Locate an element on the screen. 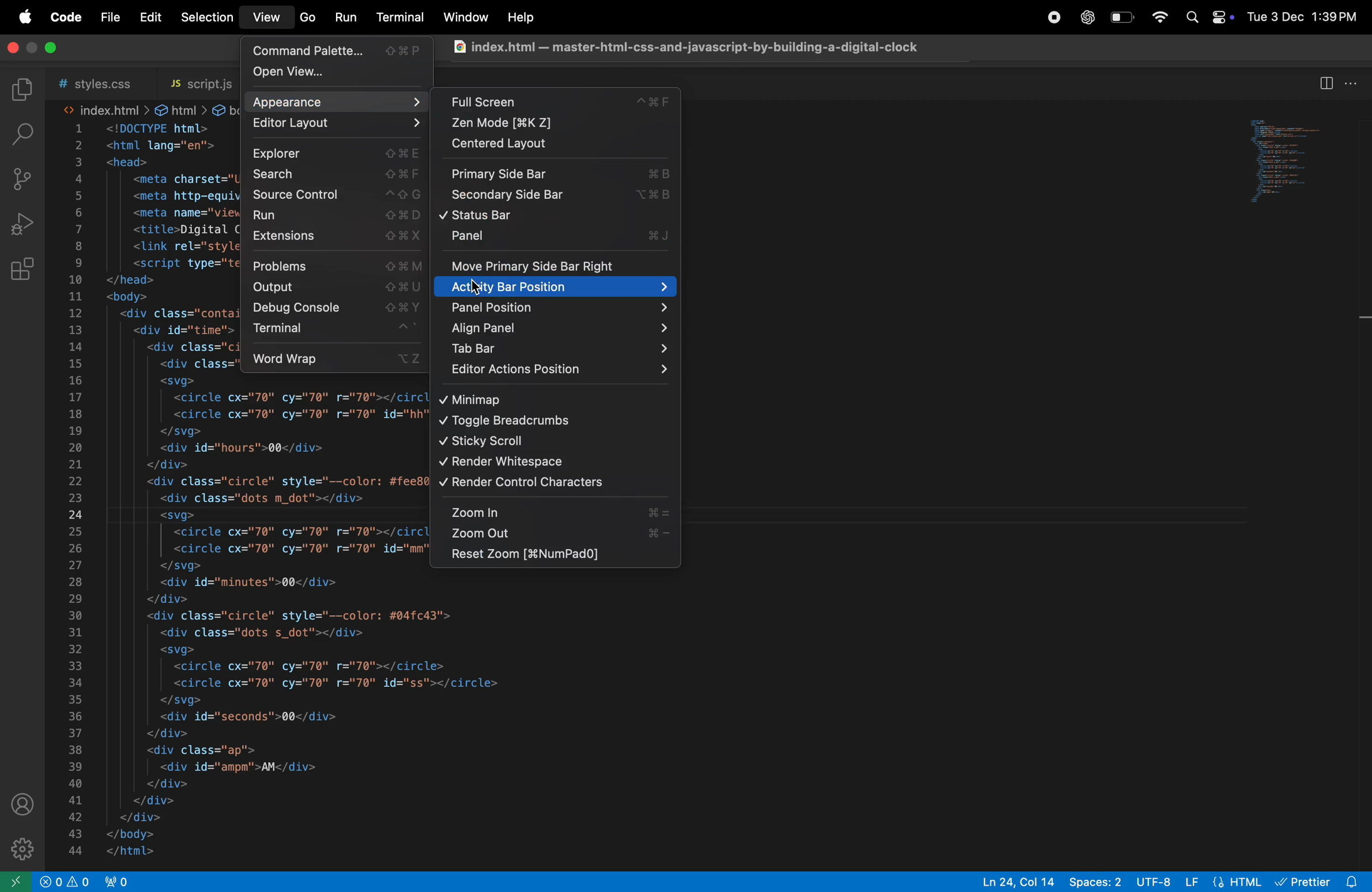 The height and width of the screenshot is (892, 1372). problems is located at coordinates (334, 266).